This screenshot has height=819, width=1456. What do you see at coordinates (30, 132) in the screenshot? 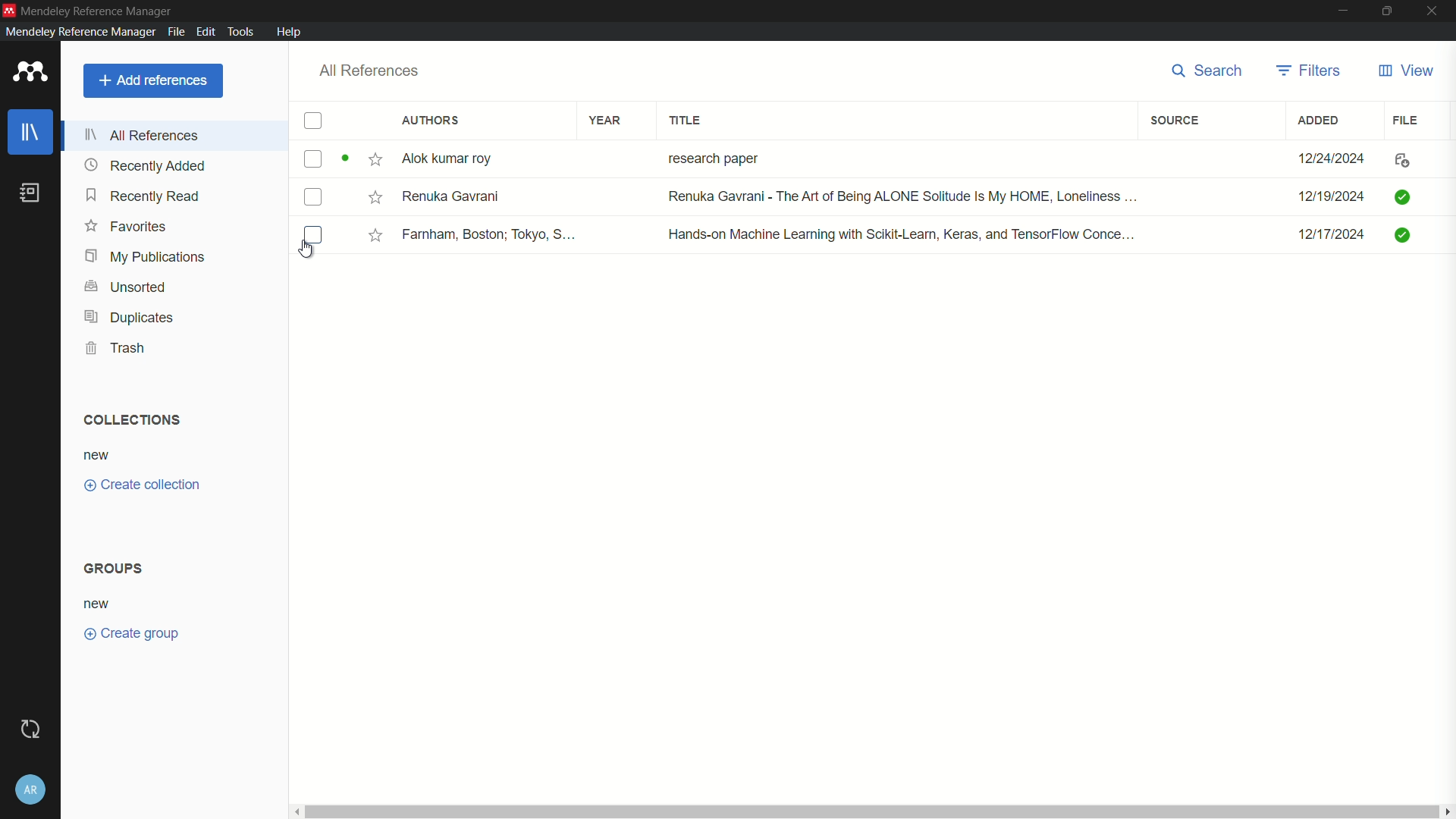
I see `library` at bounding box center [30, 132].